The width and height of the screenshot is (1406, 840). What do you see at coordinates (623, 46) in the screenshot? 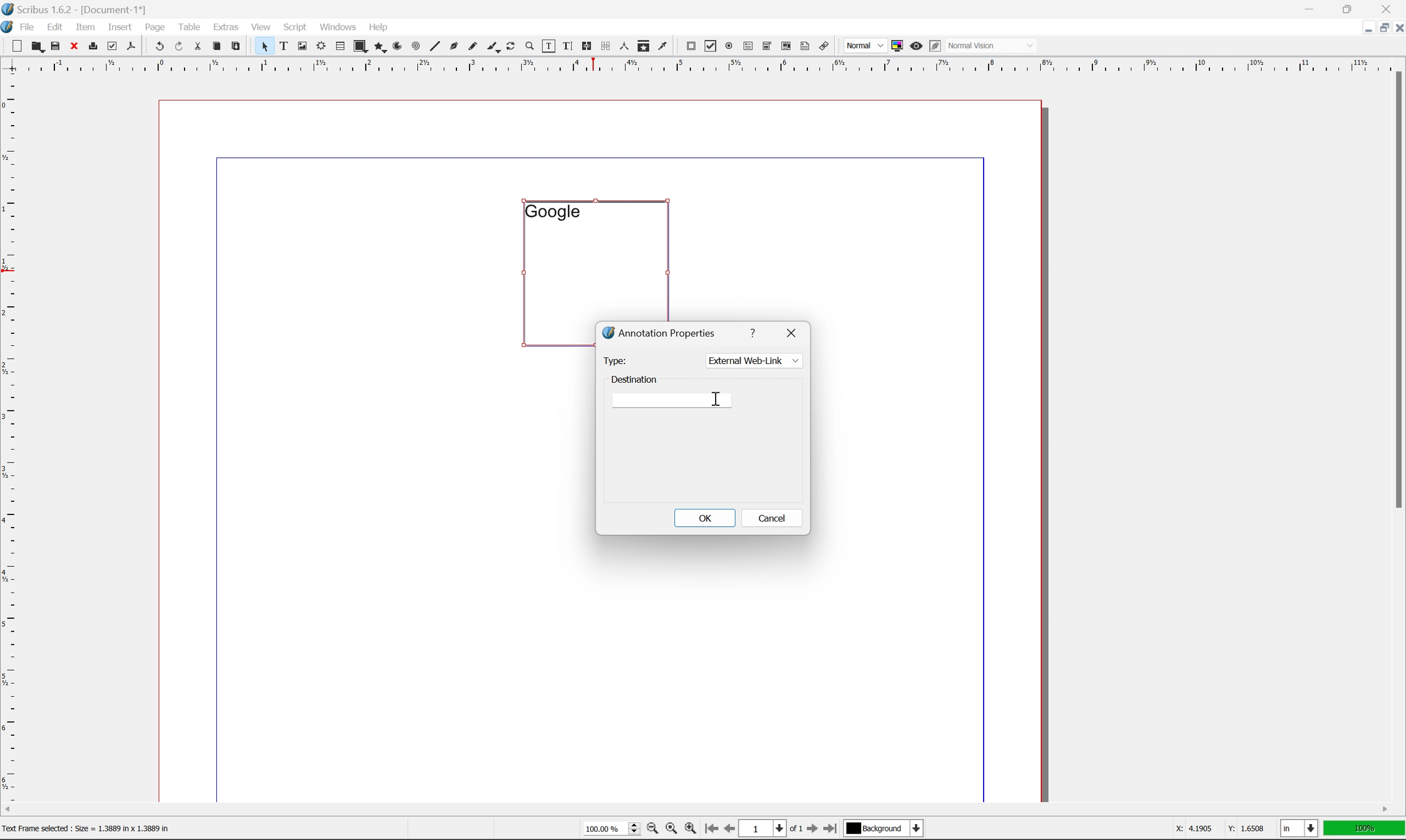
I see `measurements` at bounding box center [623, 46].